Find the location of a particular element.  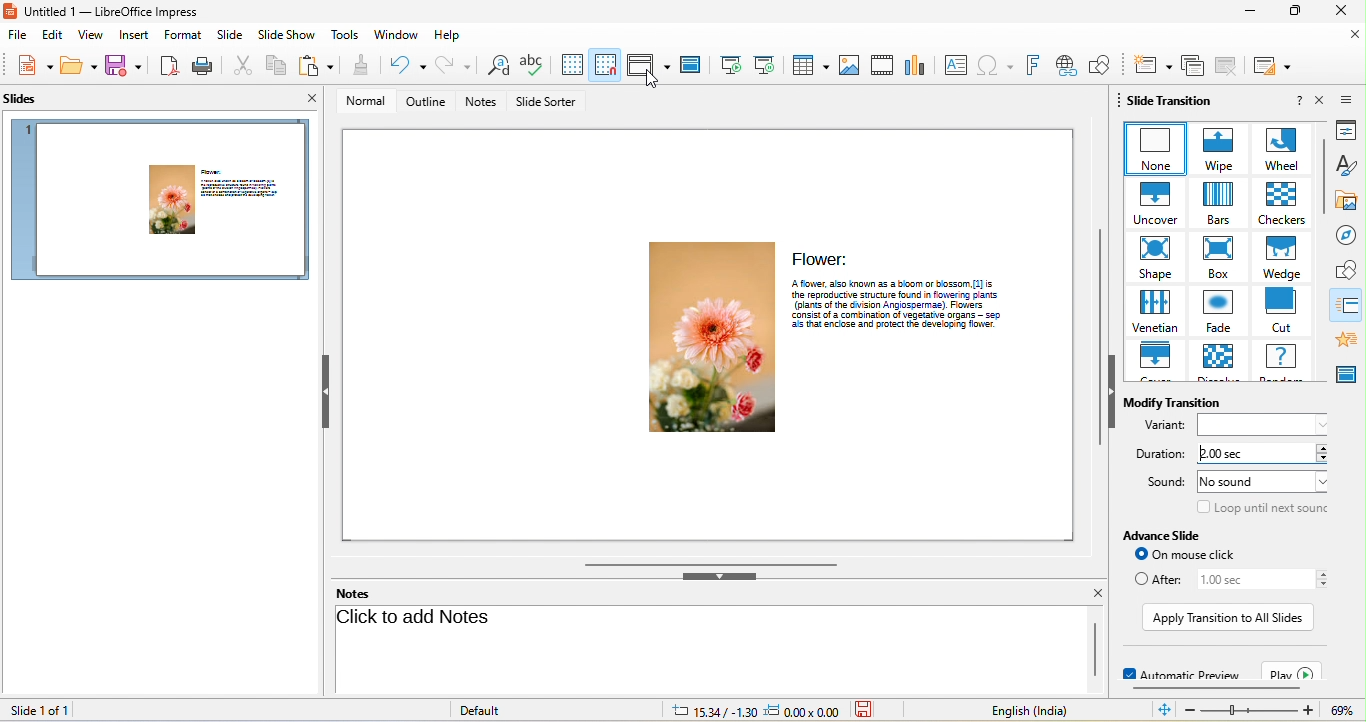

‘als that enclose and protect the geveoping tower. is located at coordinates (907, 326).